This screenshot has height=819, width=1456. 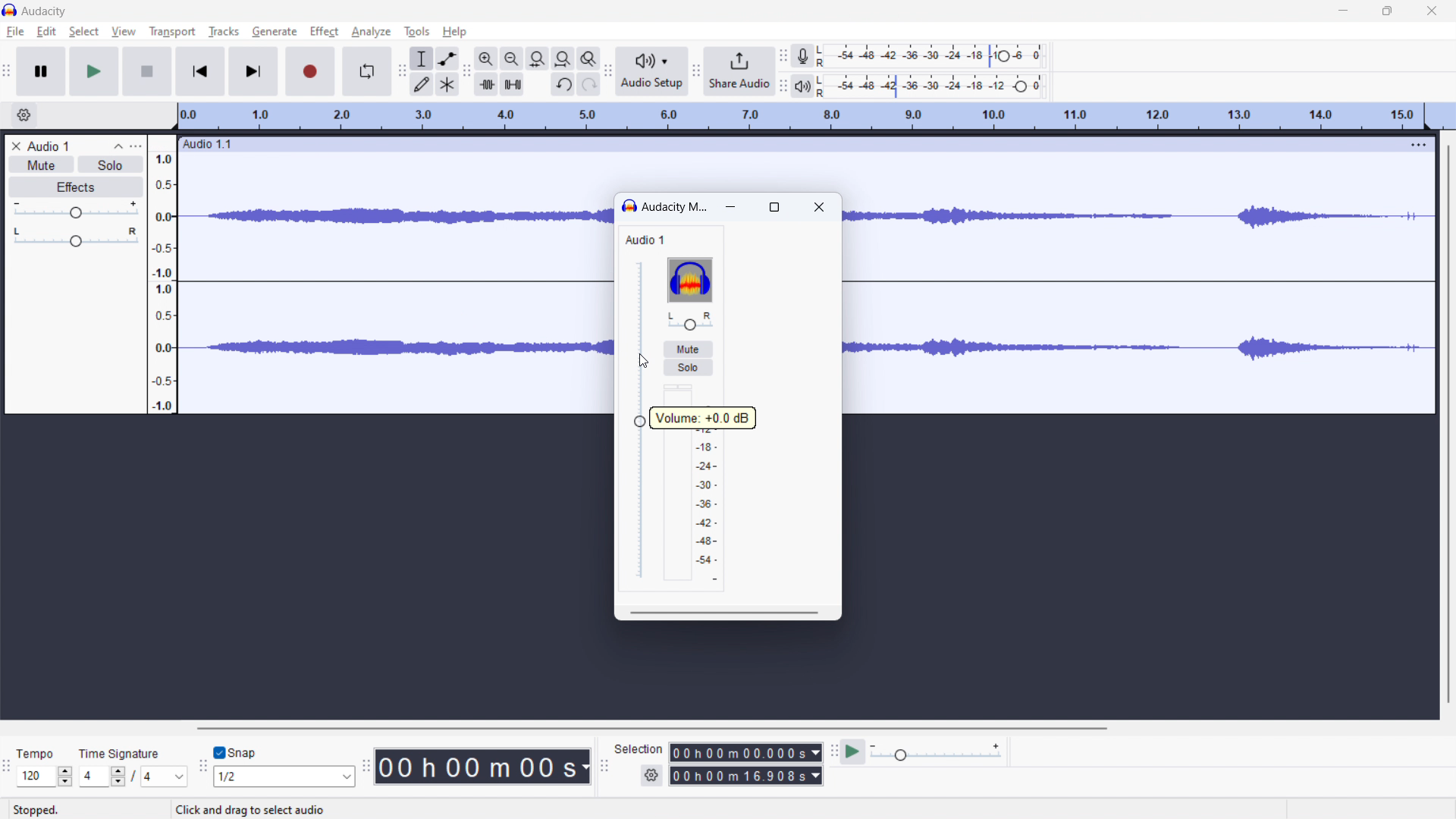 I want to click on solo, so click(x=689, y=367).